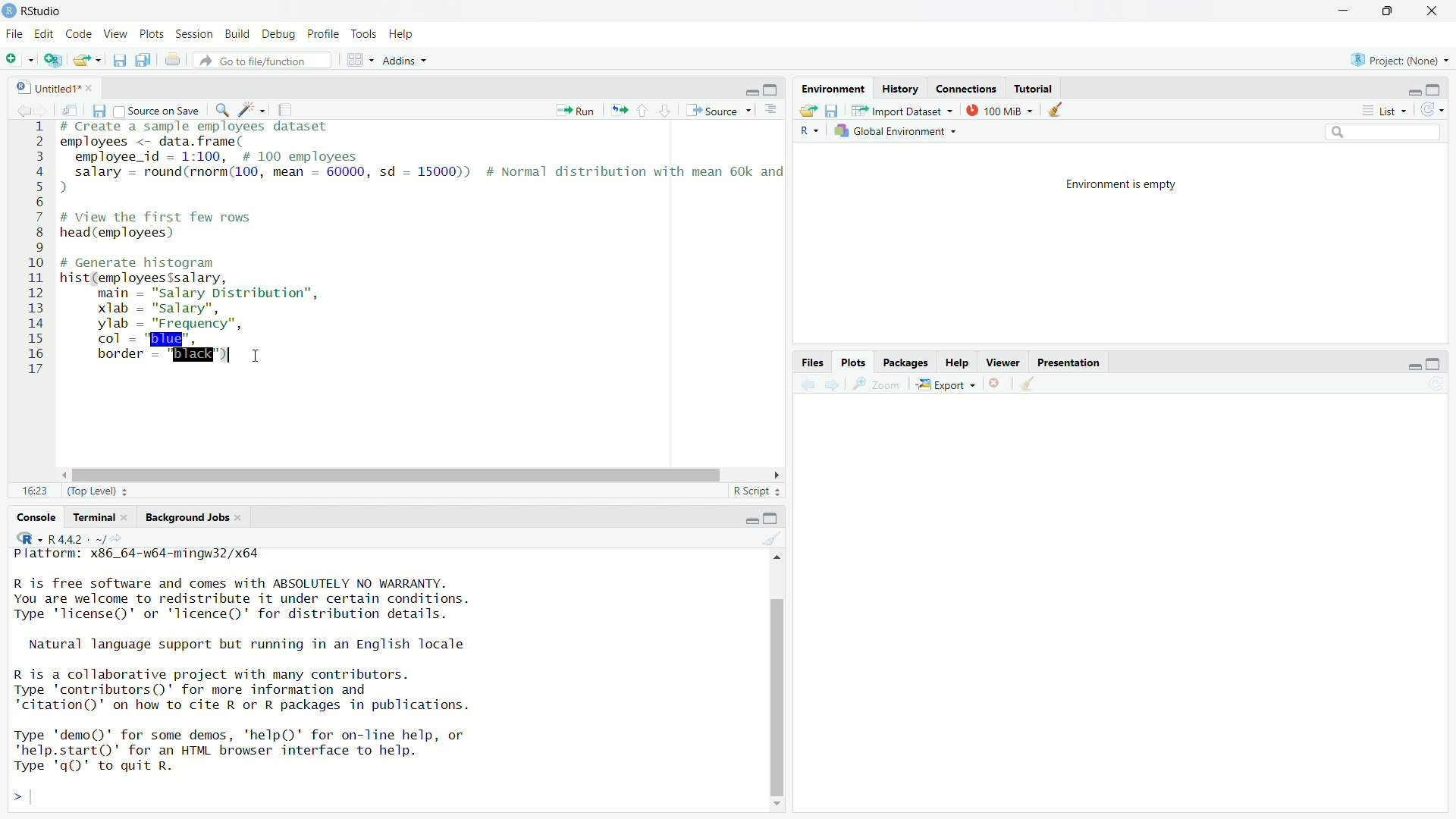 This screenshot has width=1456, height=819. I want to click on close, so click(90, 88).